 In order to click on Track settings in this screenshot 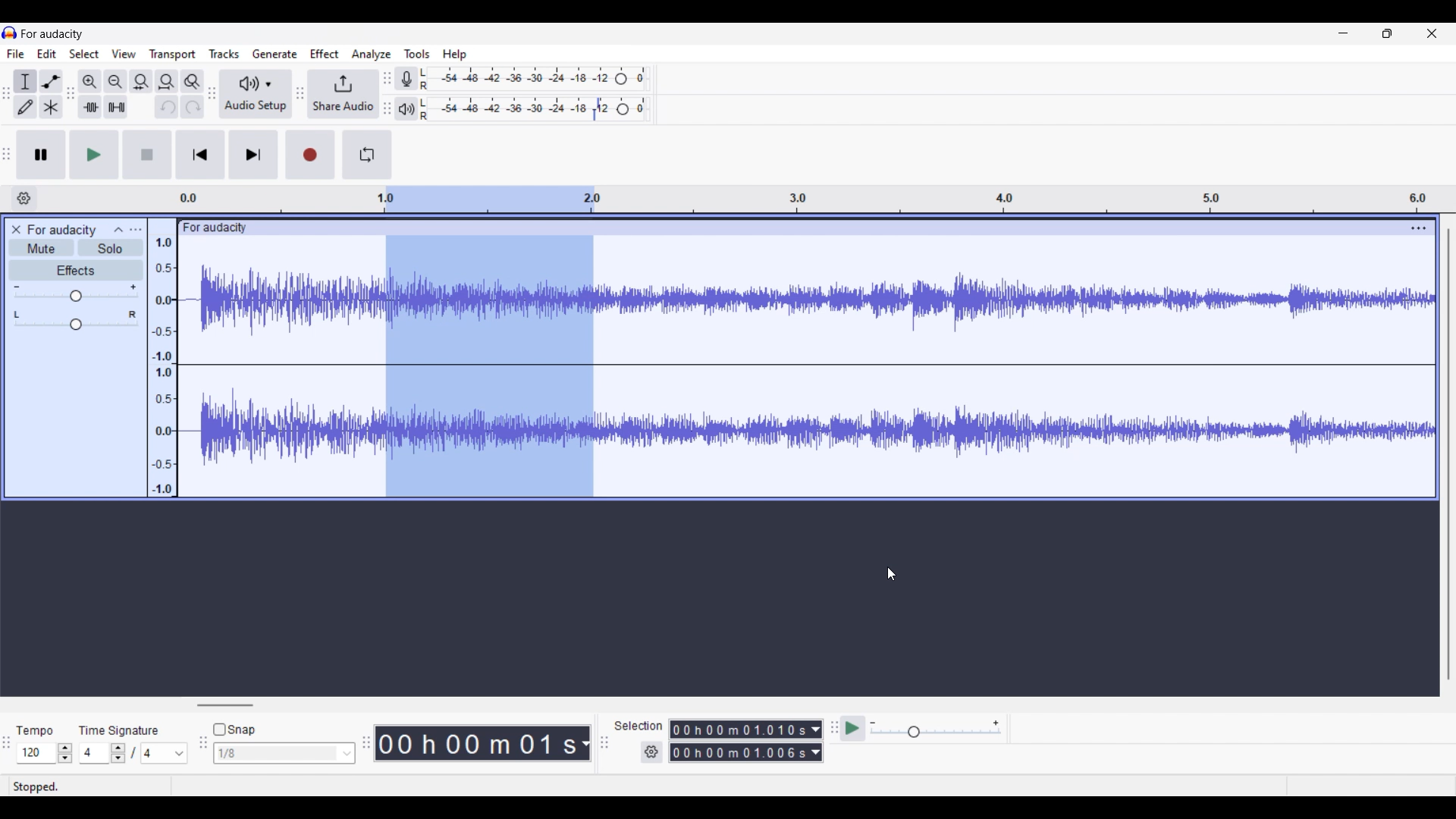, I will do `click(1419, 228)`.